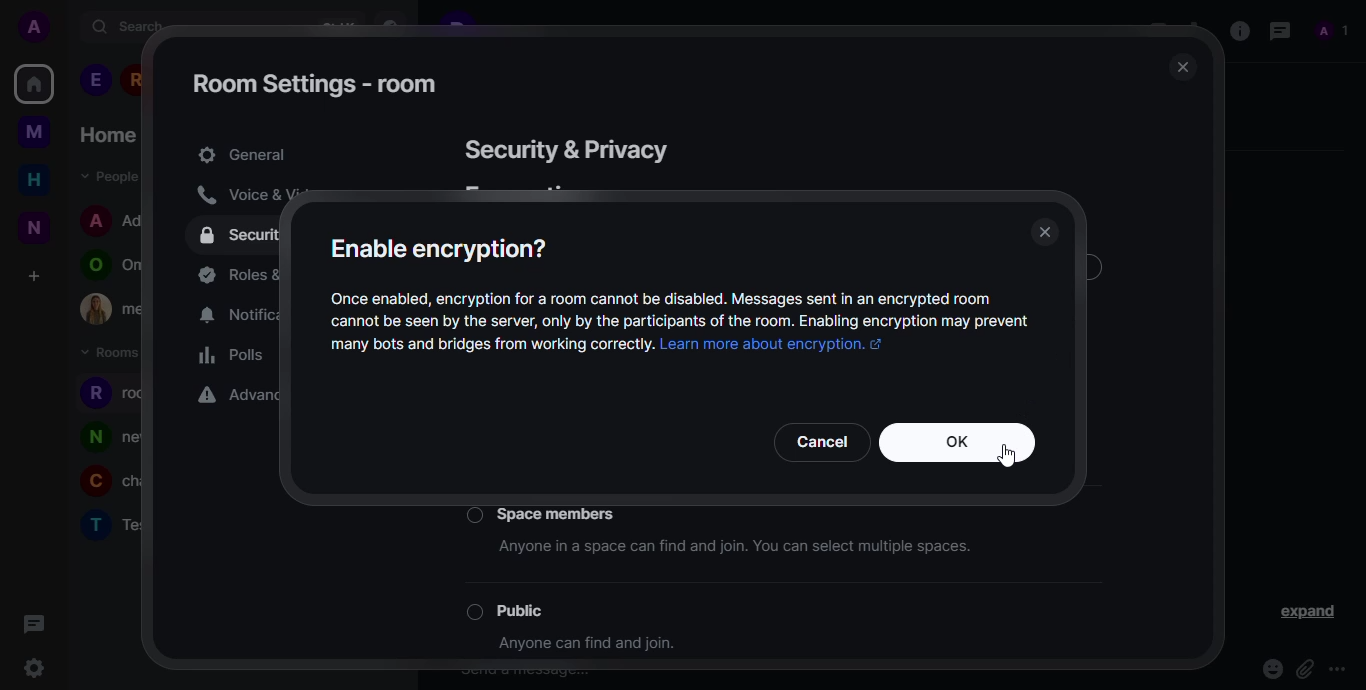 The height and width of the screenshot is (690, 1366). Describe the element at coordinates (733, 549) in the screenshot. I see `info- anyone in a space can find and join.` at that location.